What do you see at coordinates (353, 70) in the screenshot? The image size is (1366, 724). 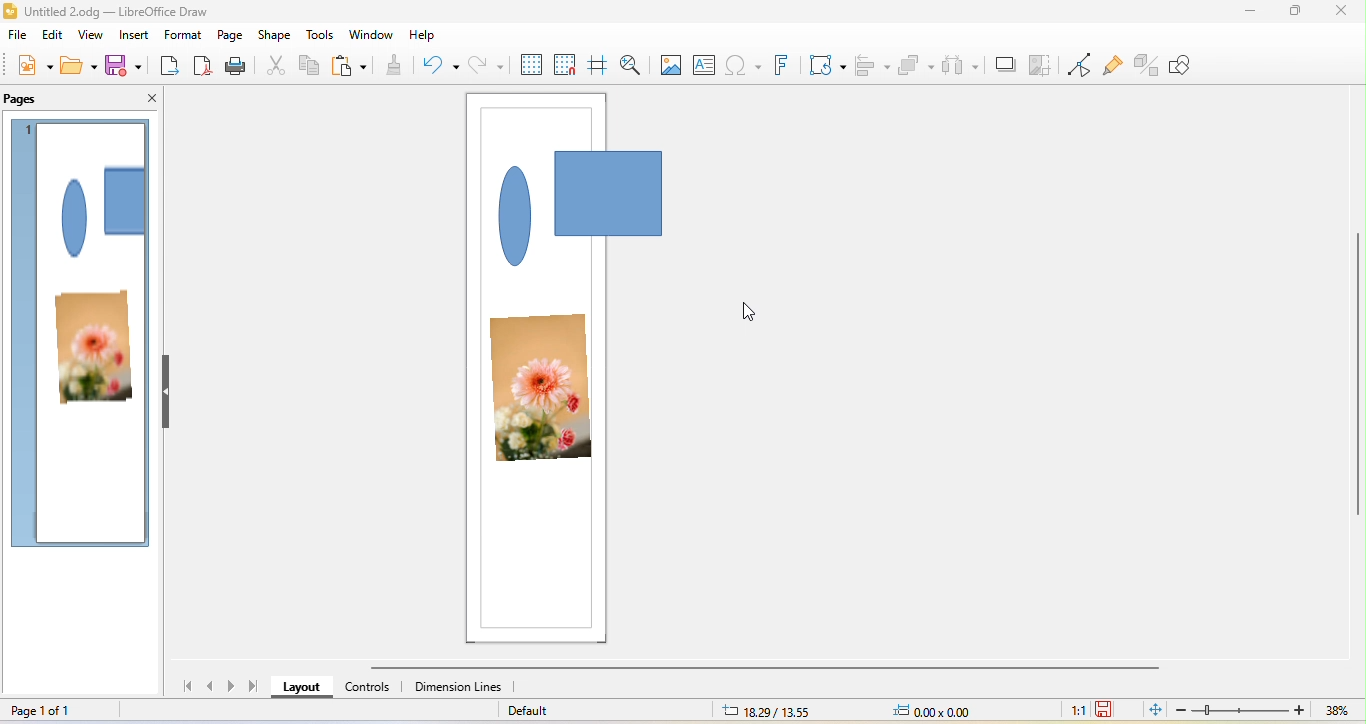 I see `paste` at bounding box center [353, 70].